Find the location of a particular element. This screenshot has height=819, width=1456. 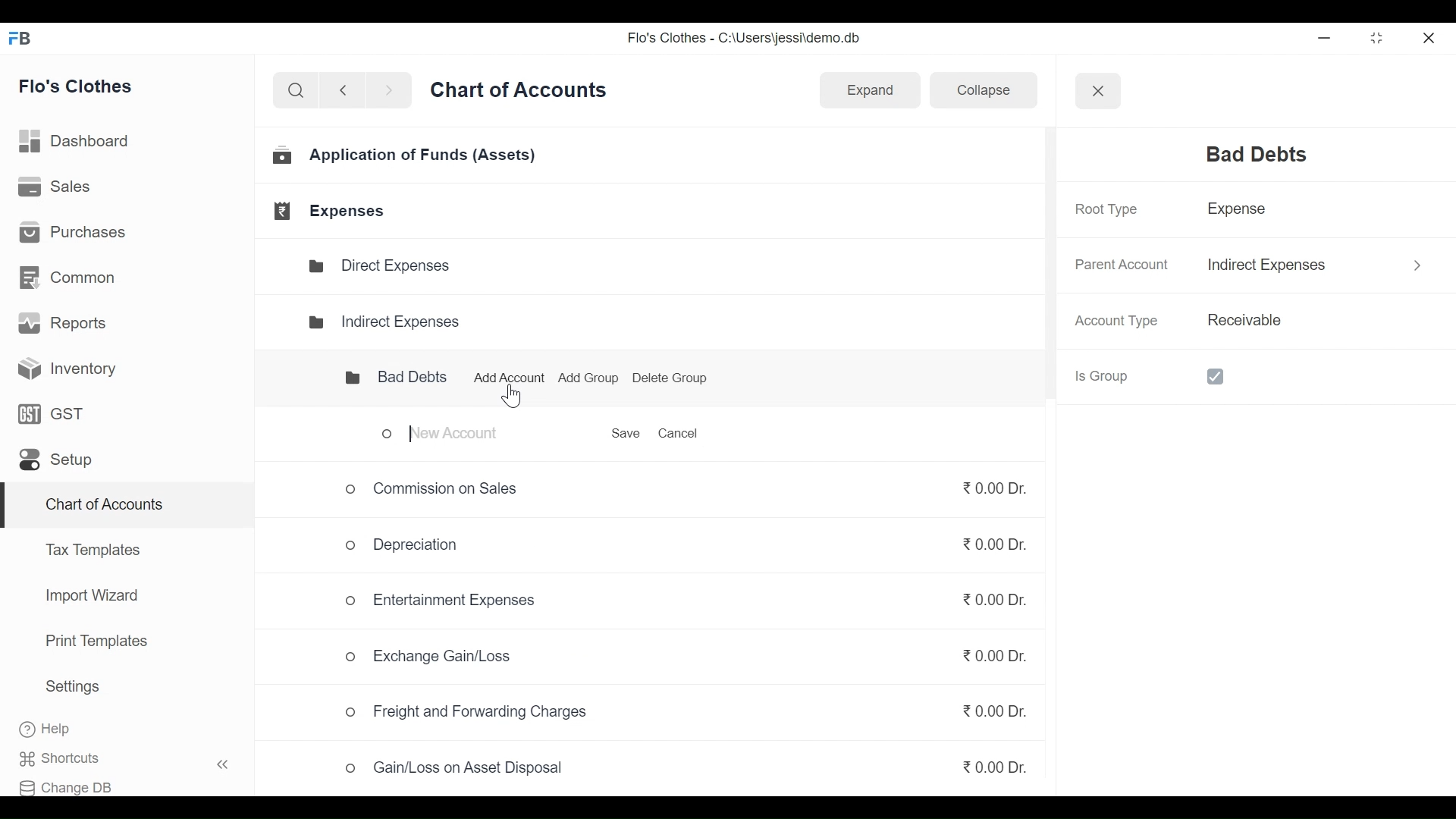

Indirect Expenses is located at coordinates (384, 320).